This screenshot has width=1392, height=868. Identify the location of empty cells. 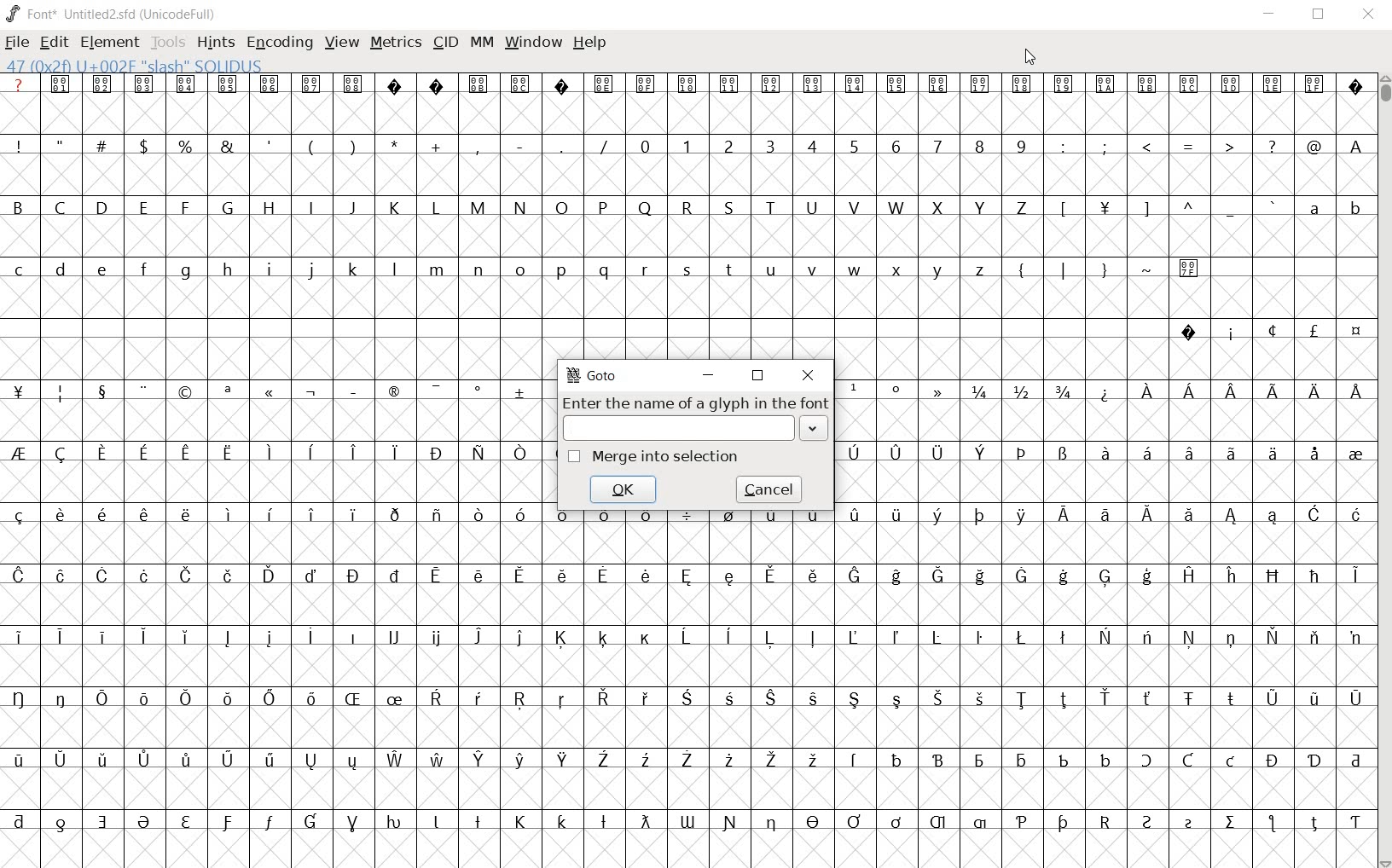
(689, 605).